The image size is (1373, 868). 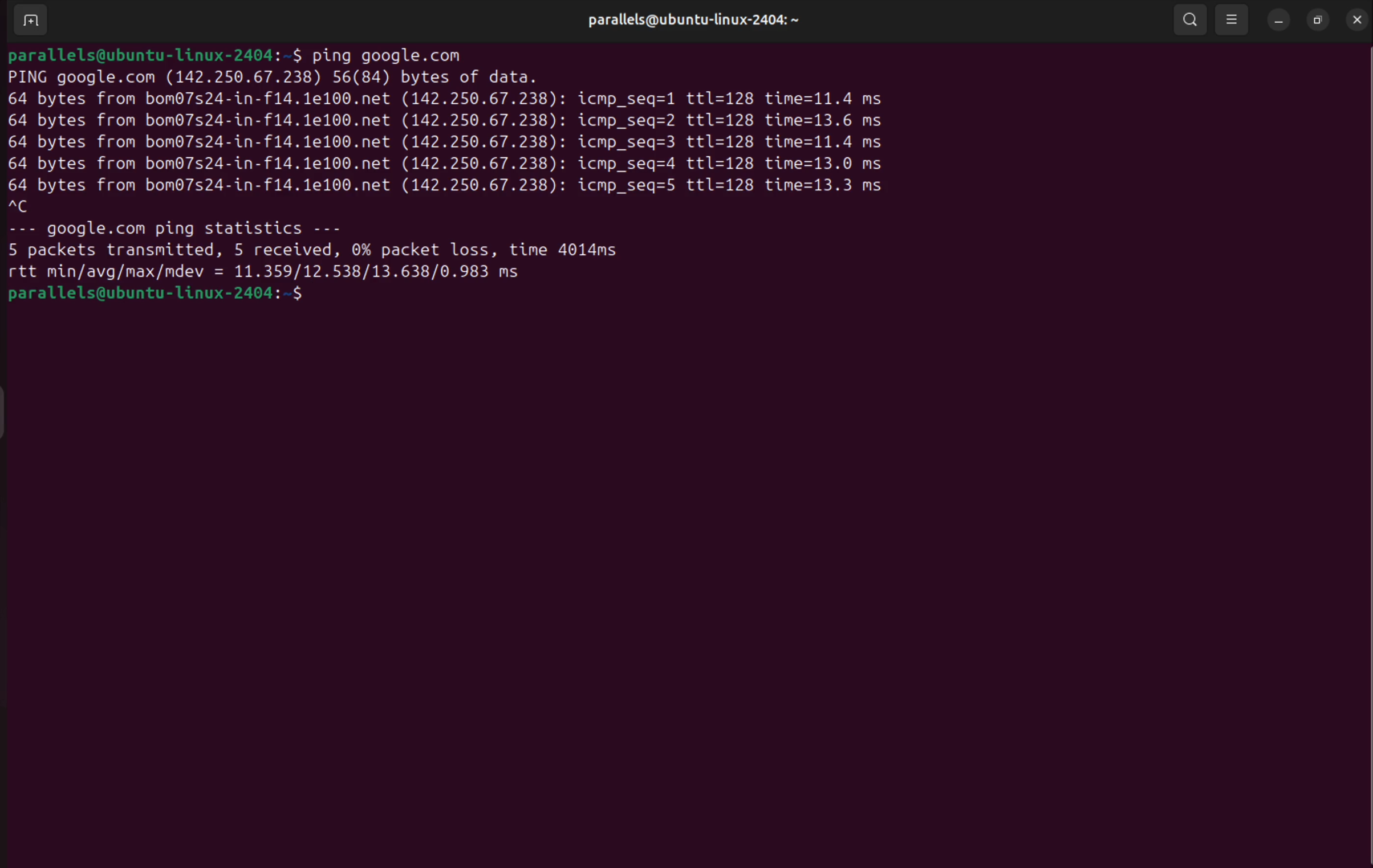 What do you see at coordinates (823, 166) in the screenshot?
I see `time 1.4 ms` at bounding box center [823, 166].